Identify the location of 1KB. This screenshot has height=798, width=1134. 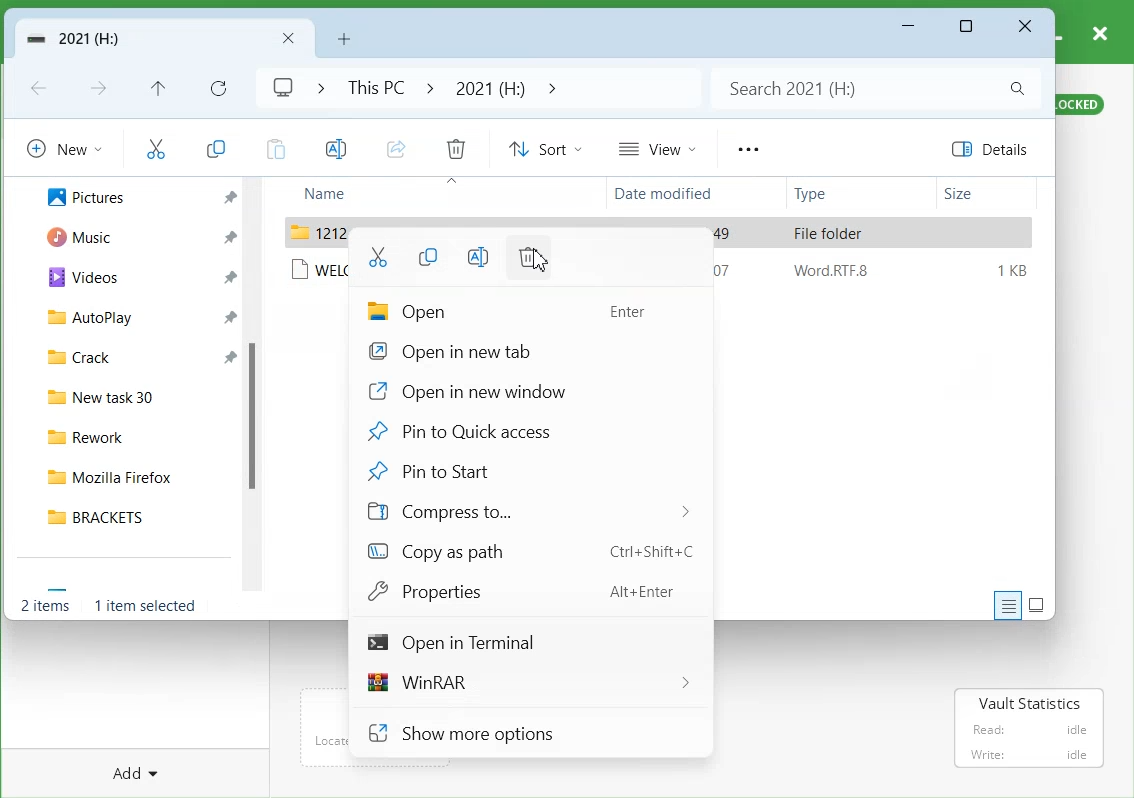
(1011, 268).